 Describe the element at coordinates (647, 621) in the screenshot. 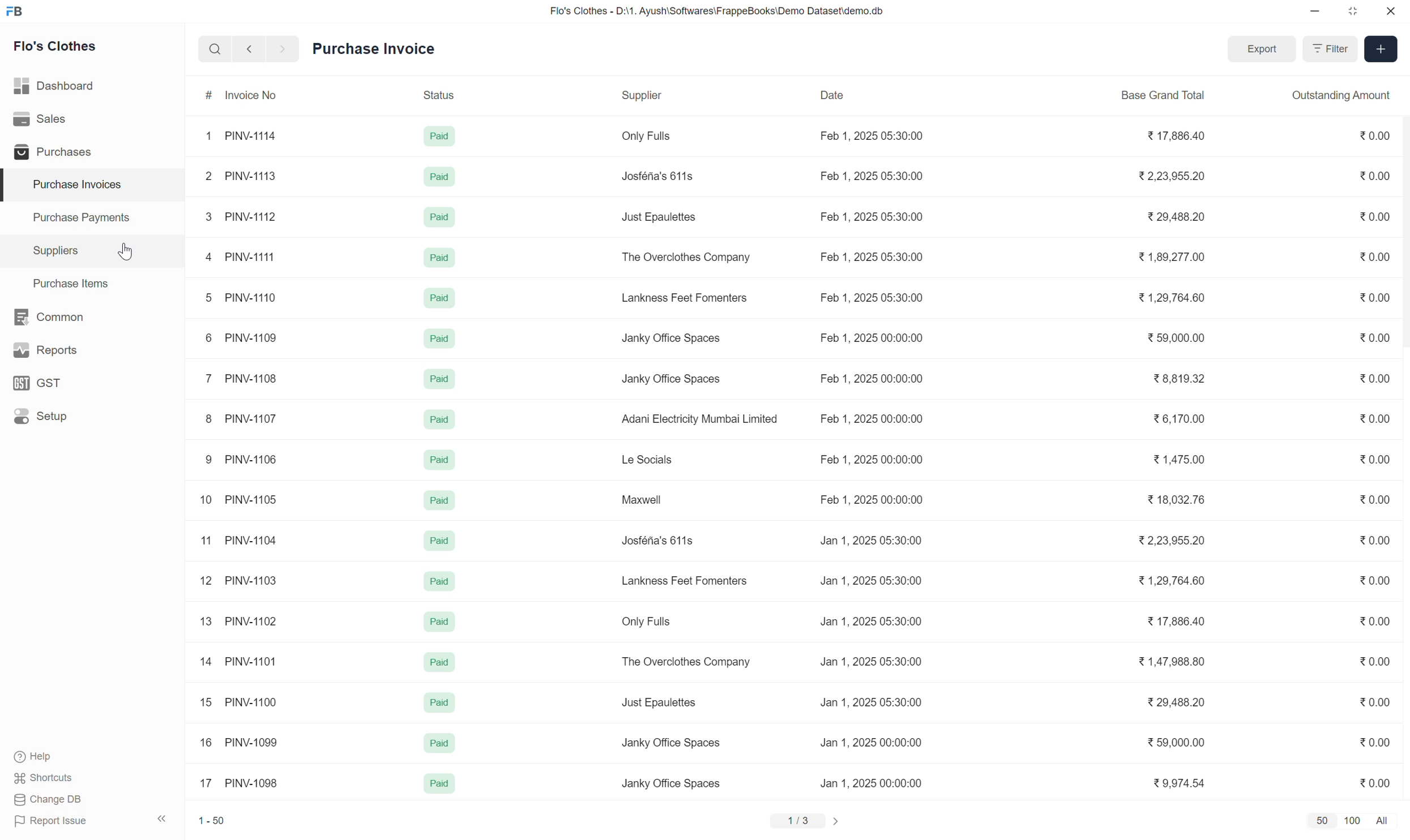

I see `Only Fulls` at that location.